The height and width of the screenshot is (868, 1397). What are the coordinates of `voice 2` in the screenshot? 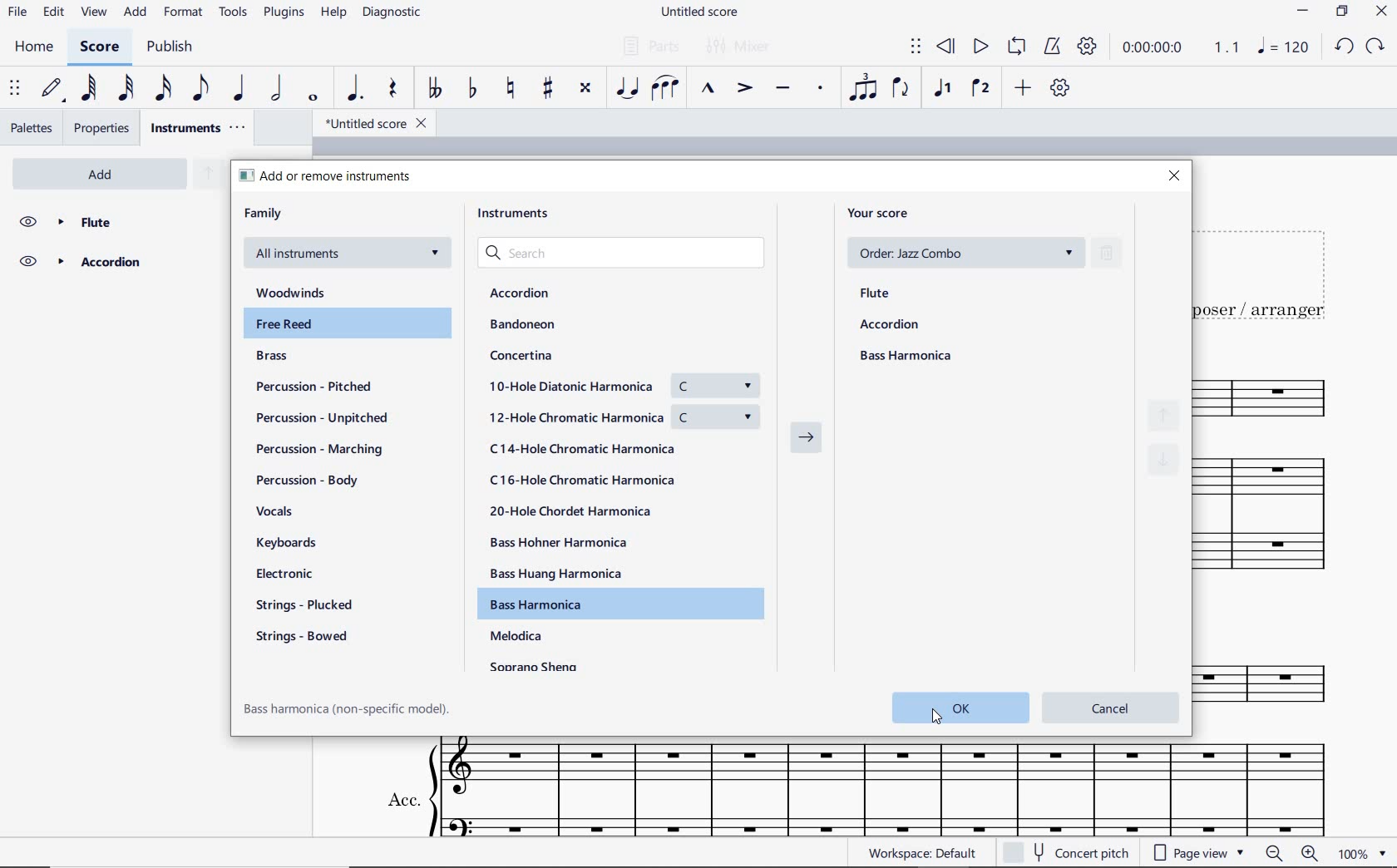 It's located at (980, 89).